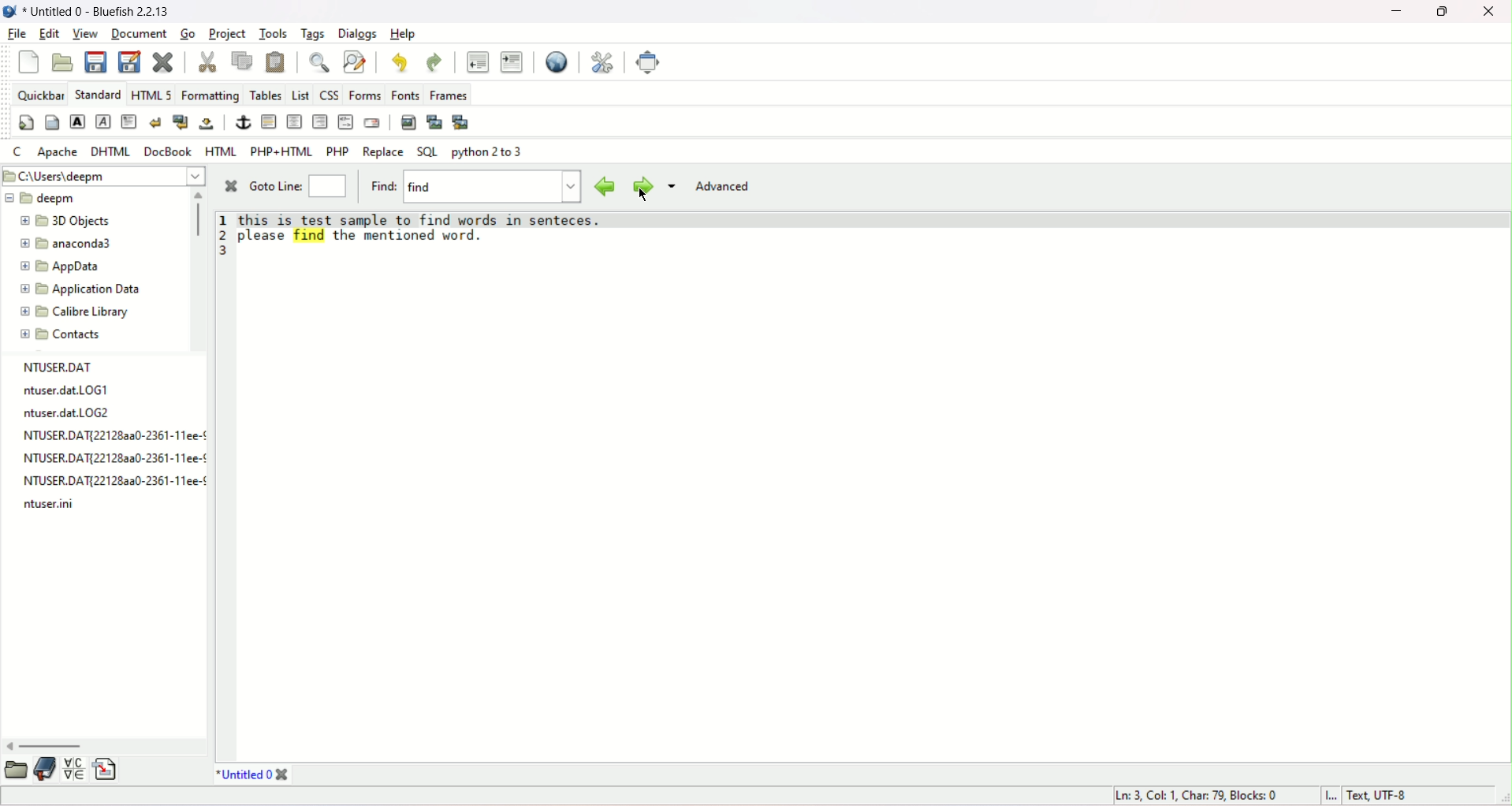 Image resolution: width=1512 pixels, height=806 pixels. I want to click on formatting, so click(210, 95).